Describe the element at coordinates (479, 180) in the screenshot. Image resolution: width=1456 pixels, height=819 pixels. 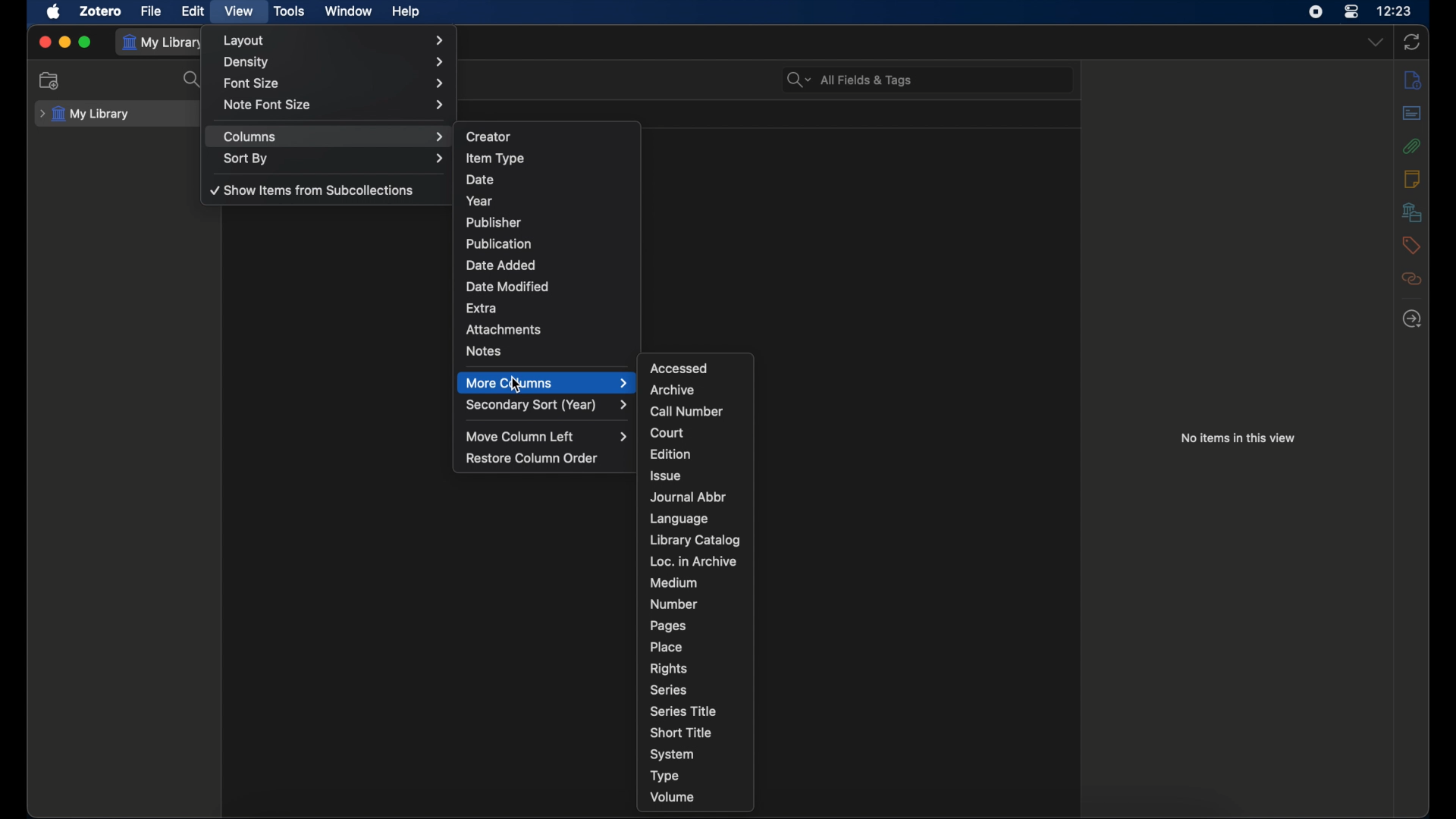
I see `date` at that location.